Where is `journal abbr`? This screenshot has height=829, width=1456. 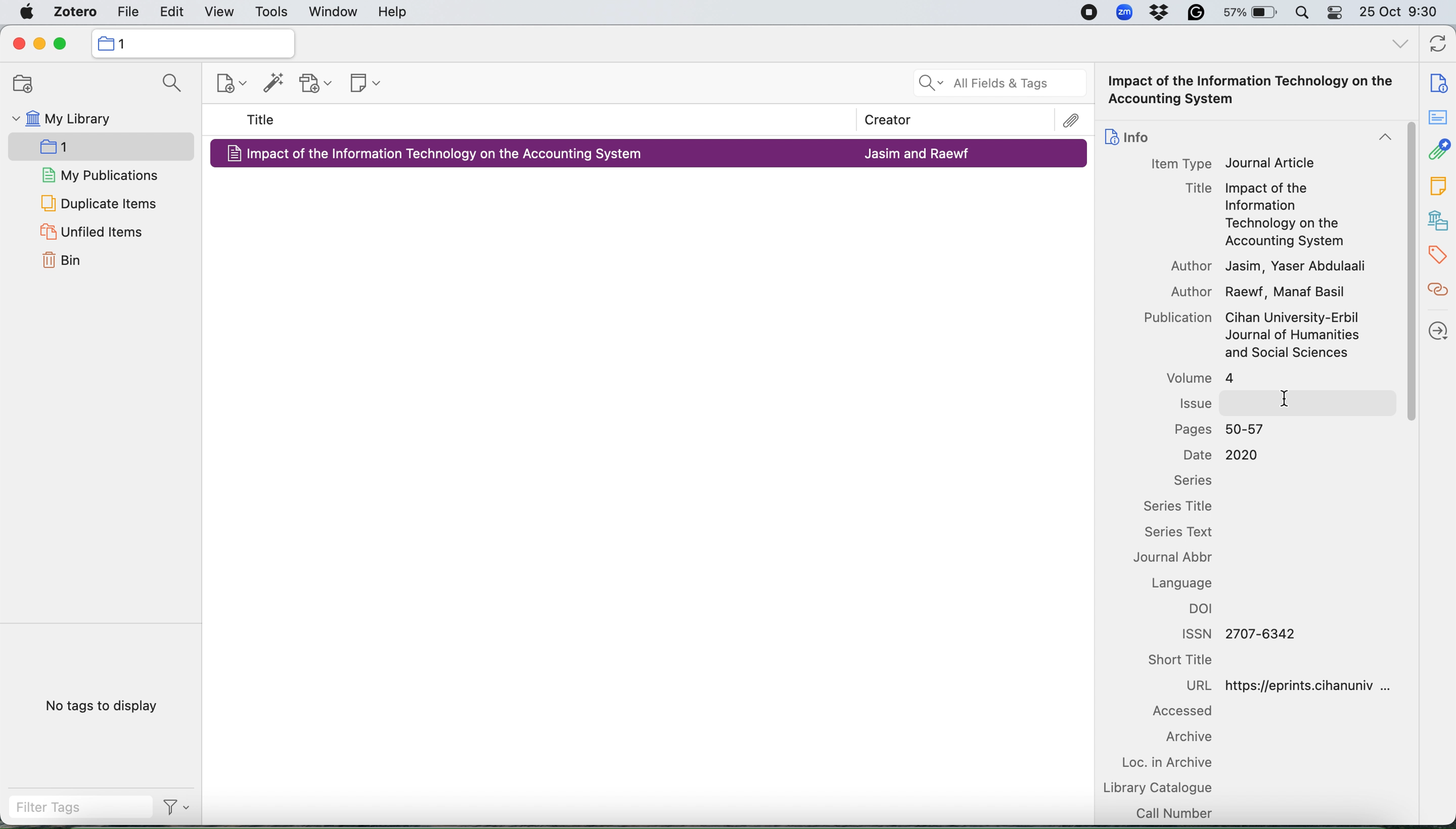 journal abbr is located at coordinates (1183, 560).